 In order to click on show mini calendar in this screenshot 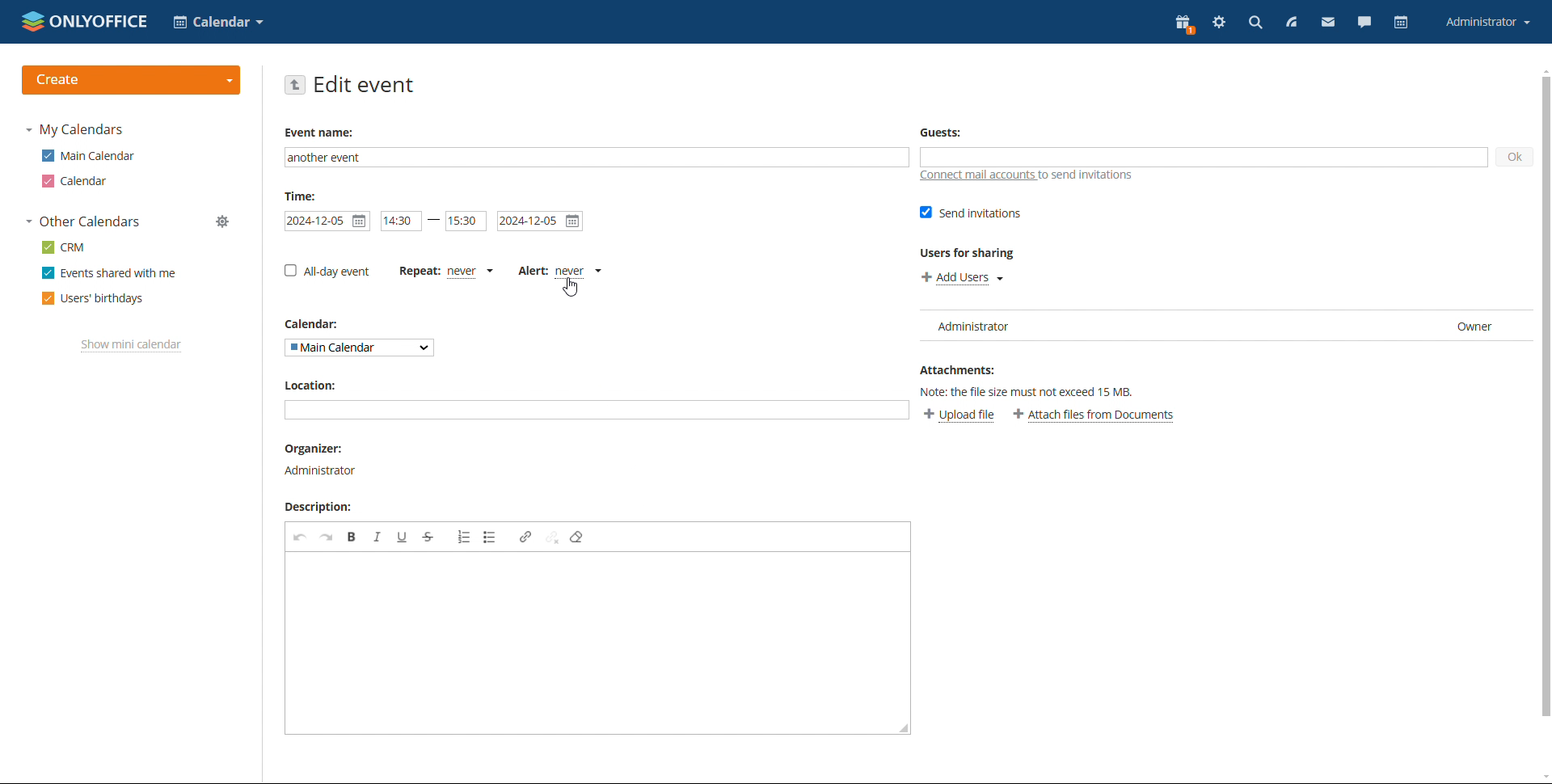, I will do `click(132, 345)`.